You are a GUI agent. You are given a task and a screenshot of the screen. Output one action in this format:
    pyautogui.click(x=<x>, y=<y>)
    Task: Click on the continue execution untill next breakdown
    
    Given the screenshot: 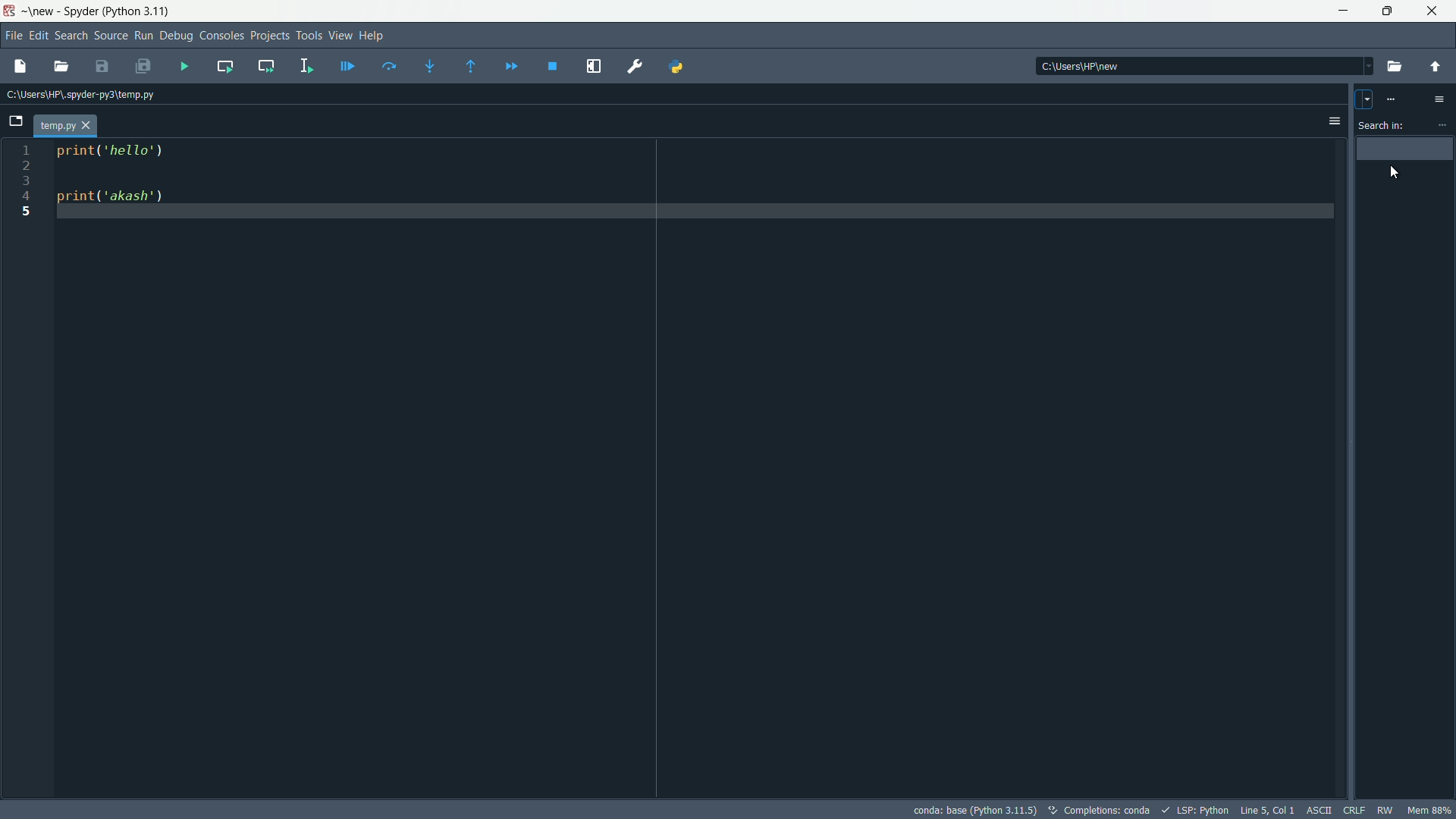 What is the action you would take?
    pyautogui.click(x=511, y=68)
    